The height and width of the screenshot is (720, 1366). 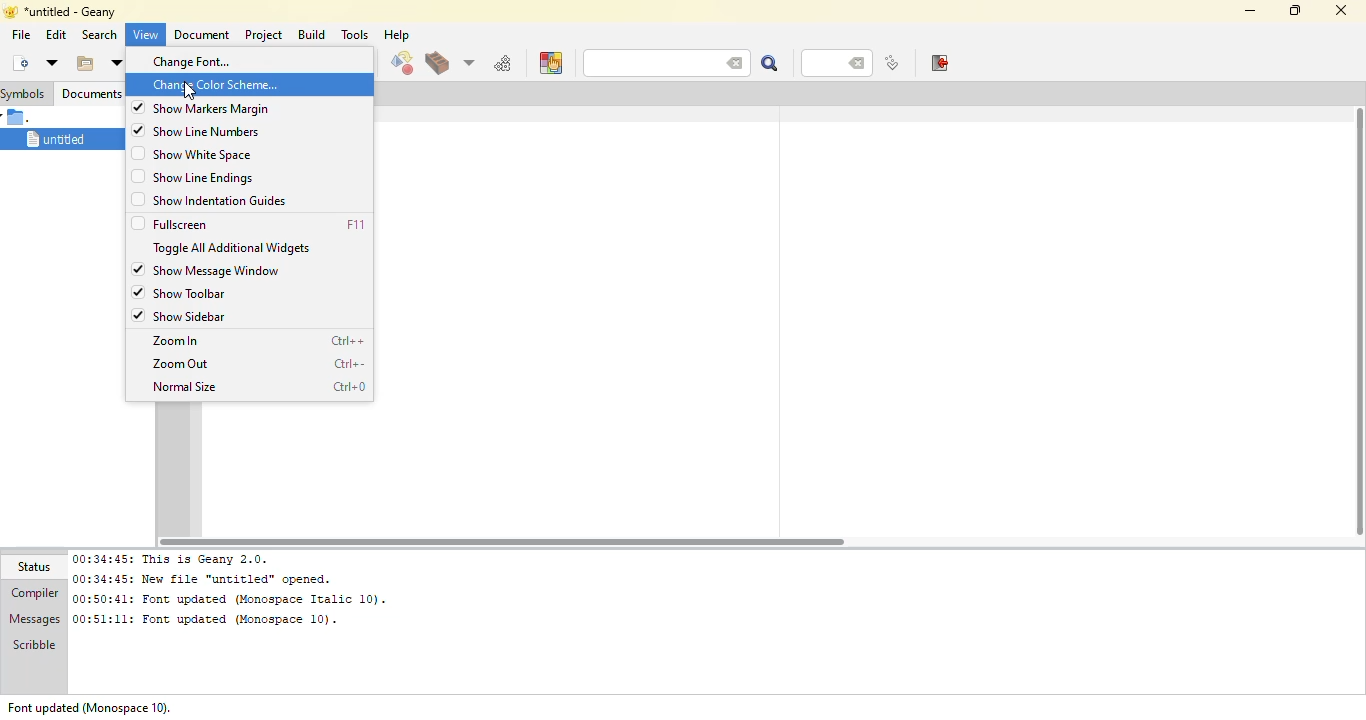 I want to click on normal size, so click(x=187, y=387).